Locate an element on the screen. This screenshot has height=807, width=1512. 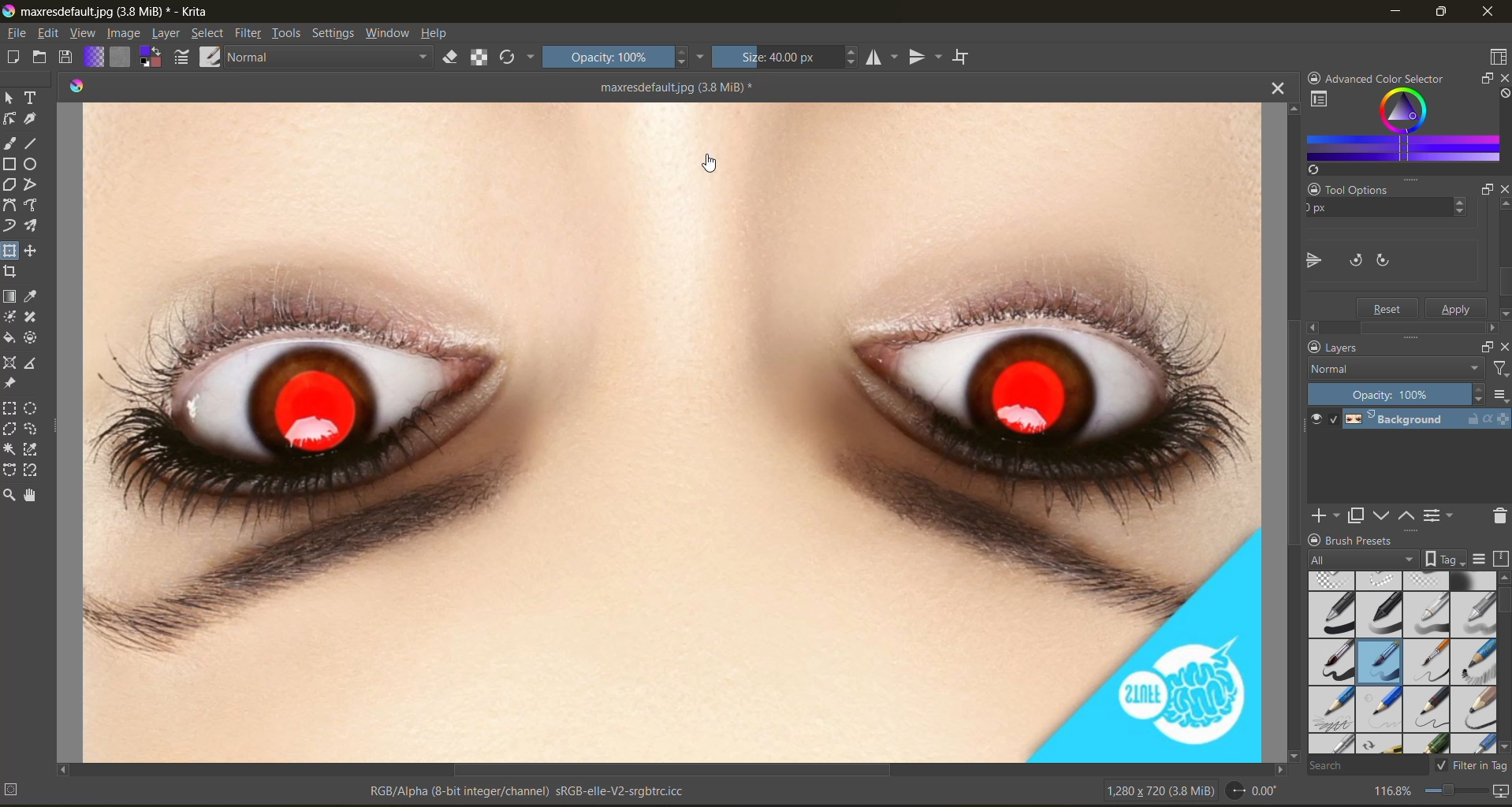
app name and file name is located at coordinates (109, 13).